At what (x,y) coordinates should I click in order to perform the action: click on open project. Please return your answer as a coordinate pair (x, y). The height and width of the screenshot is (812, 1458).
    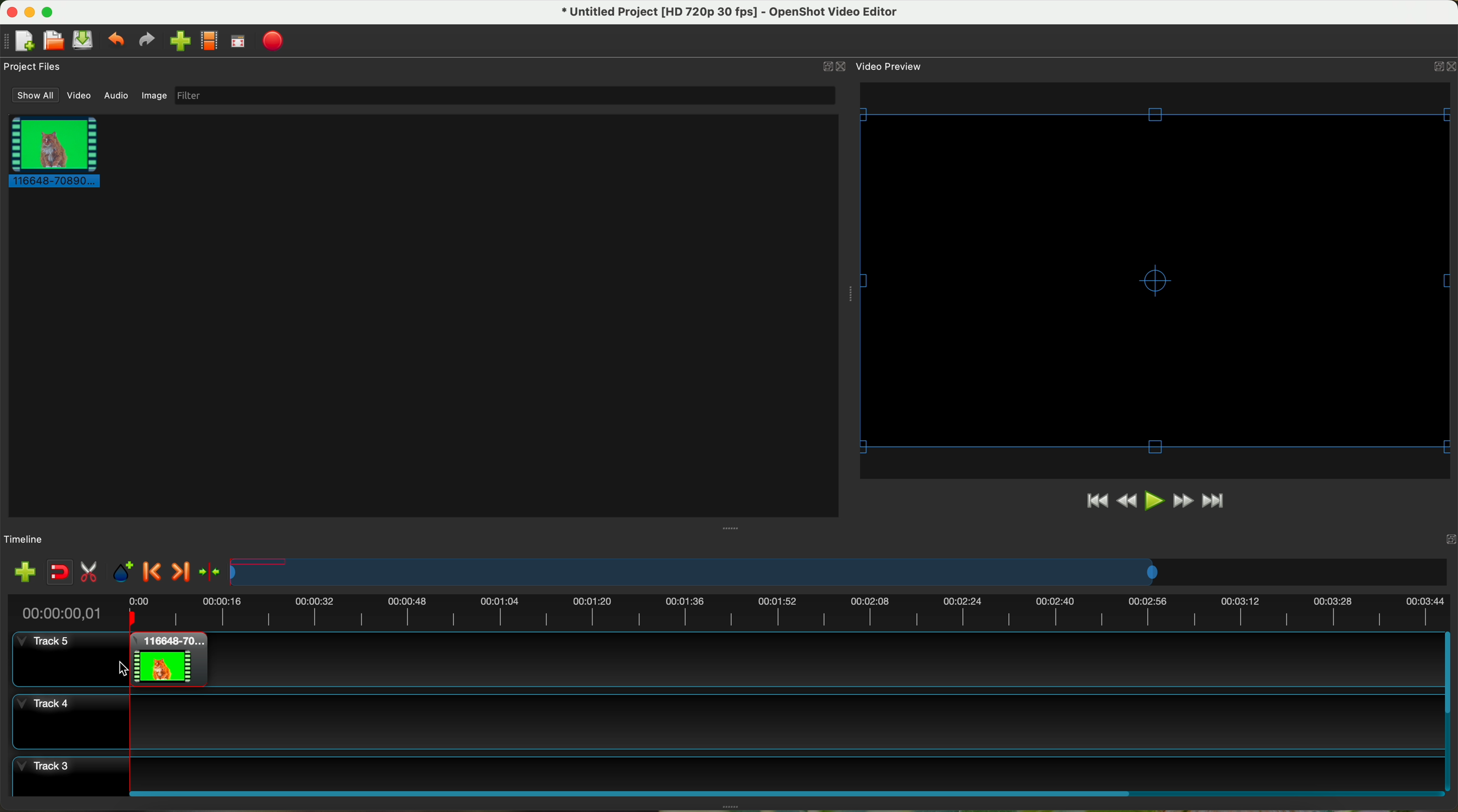
    Looking at the image, I should click on (55, 40).